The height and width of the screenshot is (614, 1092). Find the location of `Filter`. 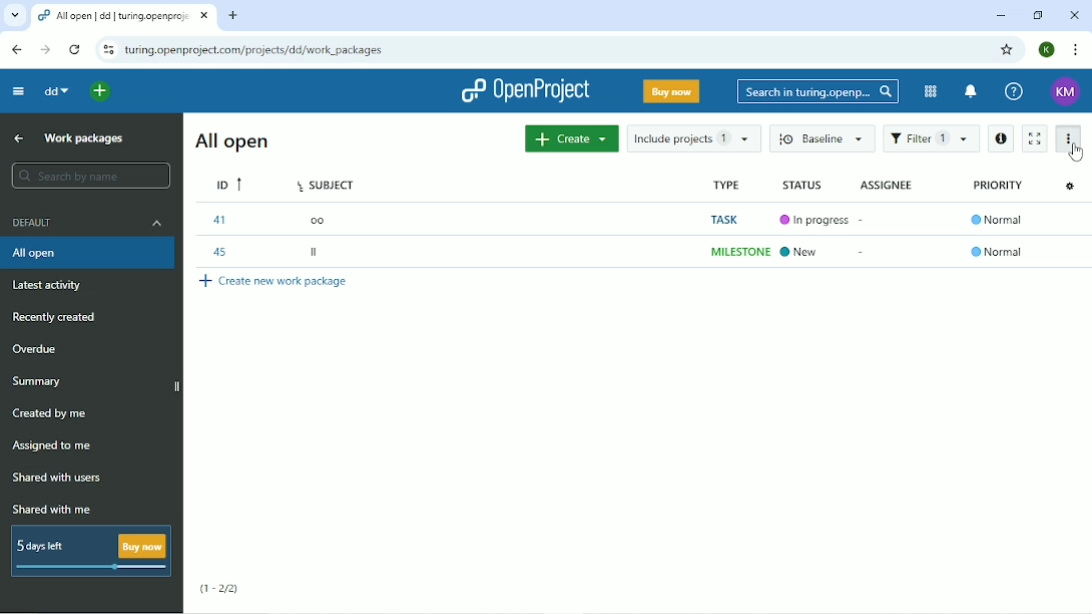

Filter is located at coordinates (931, 139).